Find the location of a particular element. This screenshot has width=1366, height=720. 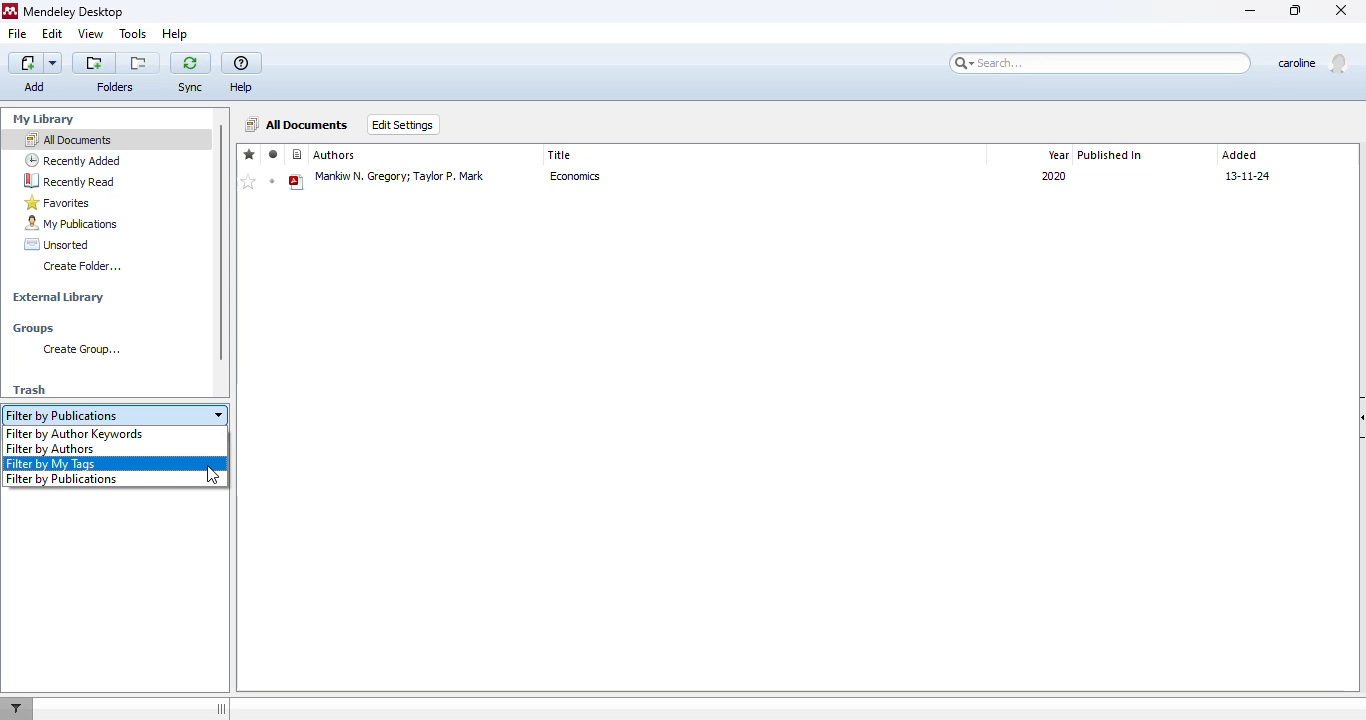

cursor is located at coordinates (213, 476).